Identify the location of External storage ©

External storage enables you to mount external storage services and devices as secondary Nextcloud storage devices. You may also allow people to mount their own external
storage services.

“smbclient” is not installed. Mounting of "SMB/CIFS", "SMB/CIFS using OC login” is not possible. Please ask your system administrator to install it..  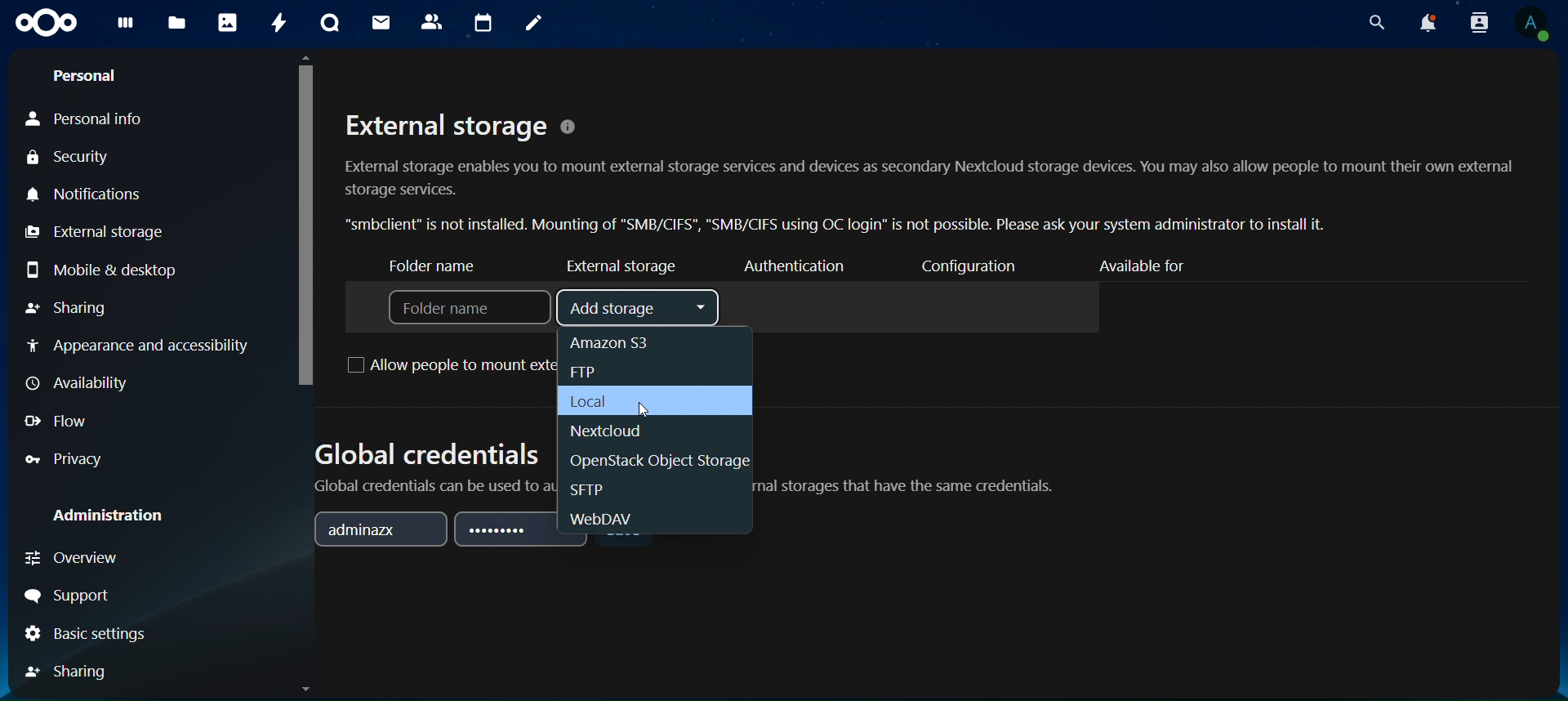
(929, 170).